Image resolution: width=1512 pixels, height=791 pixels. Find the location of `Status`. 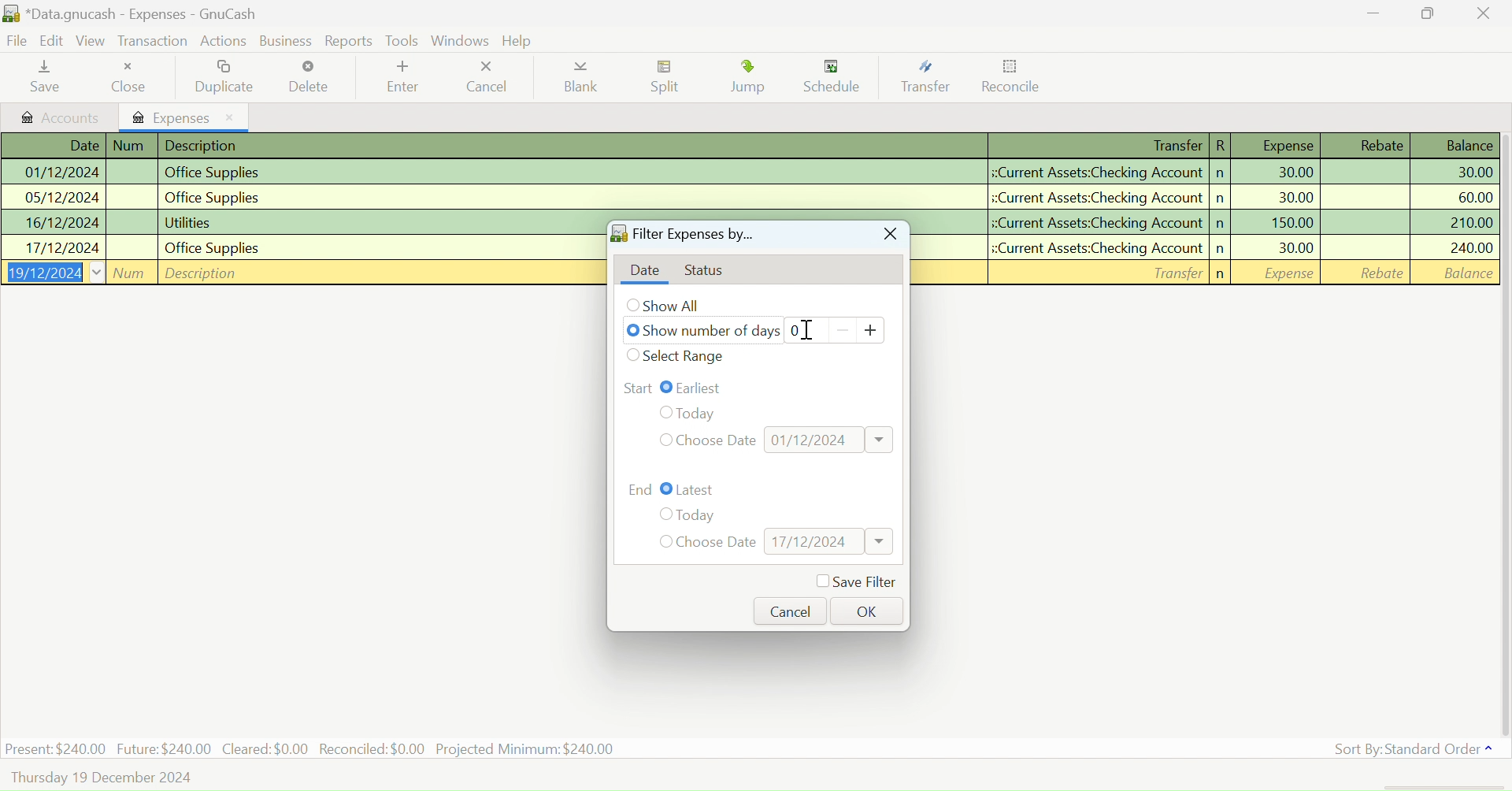

Status is located at coordinates (710, 272).